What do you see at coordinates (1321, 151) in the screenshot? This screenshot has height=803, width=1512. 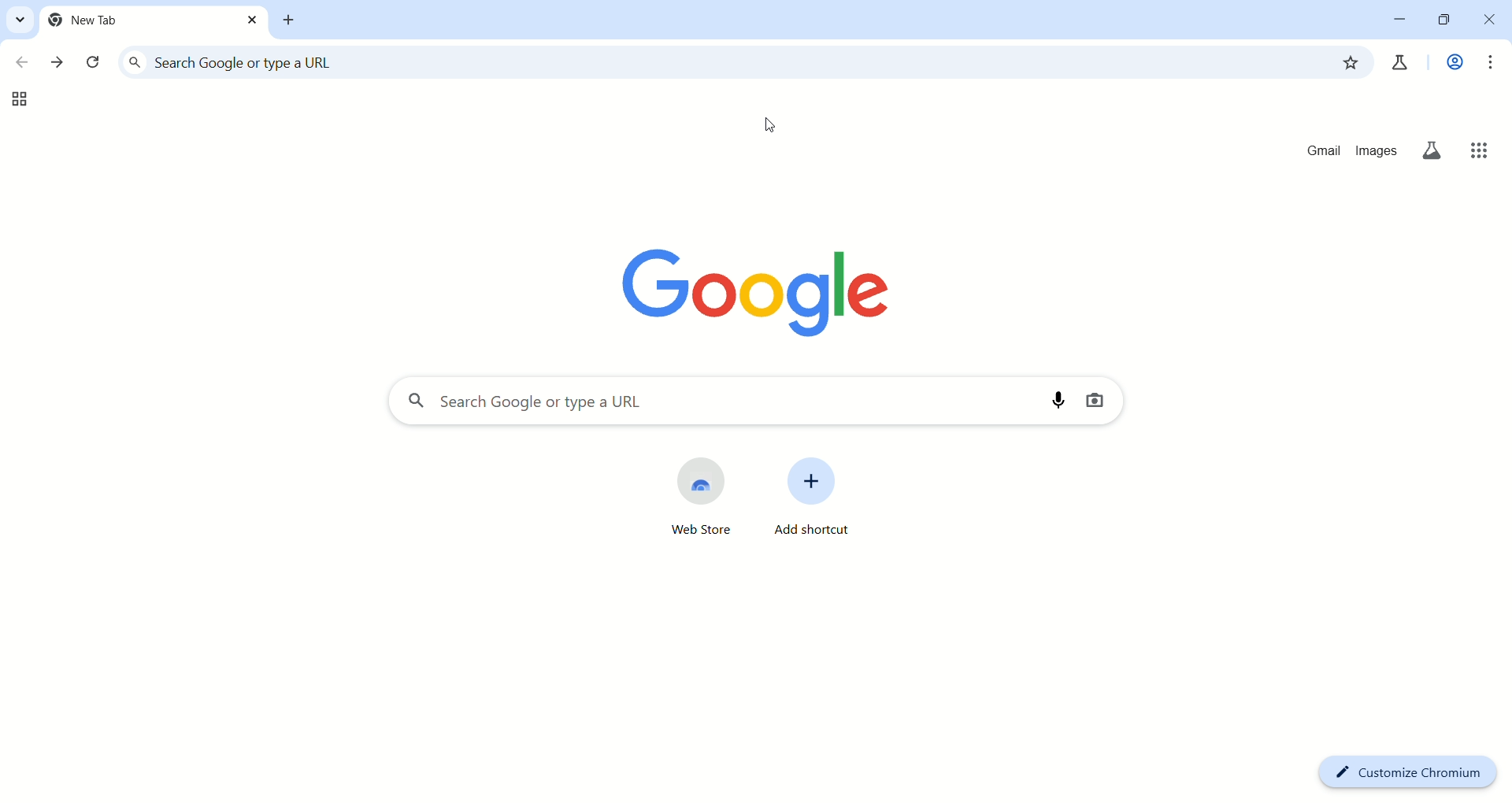 I see `gmail` at bounding box center [1321, 151].